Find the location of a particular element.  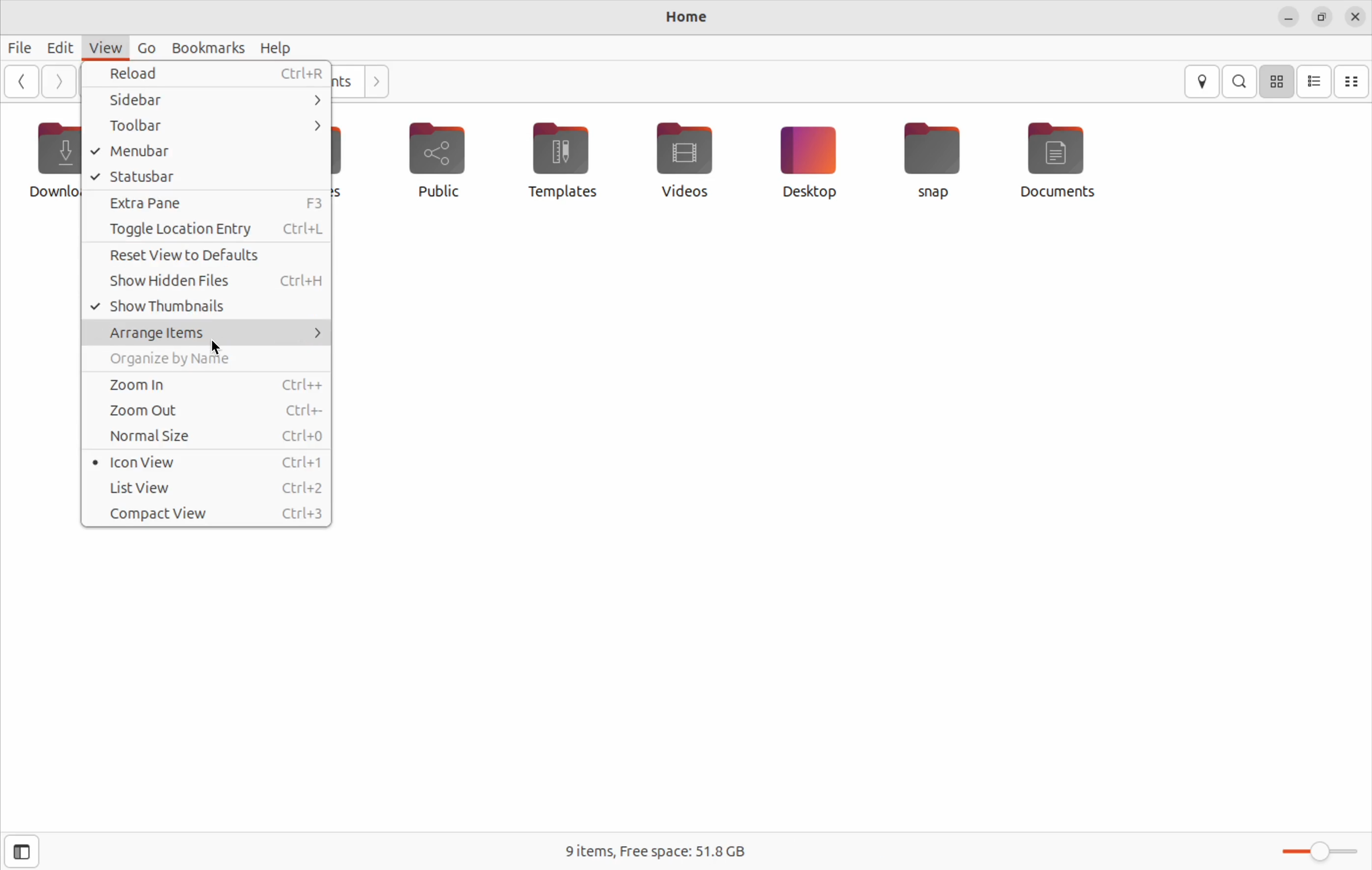

templates is located at coordinates (560, 159).